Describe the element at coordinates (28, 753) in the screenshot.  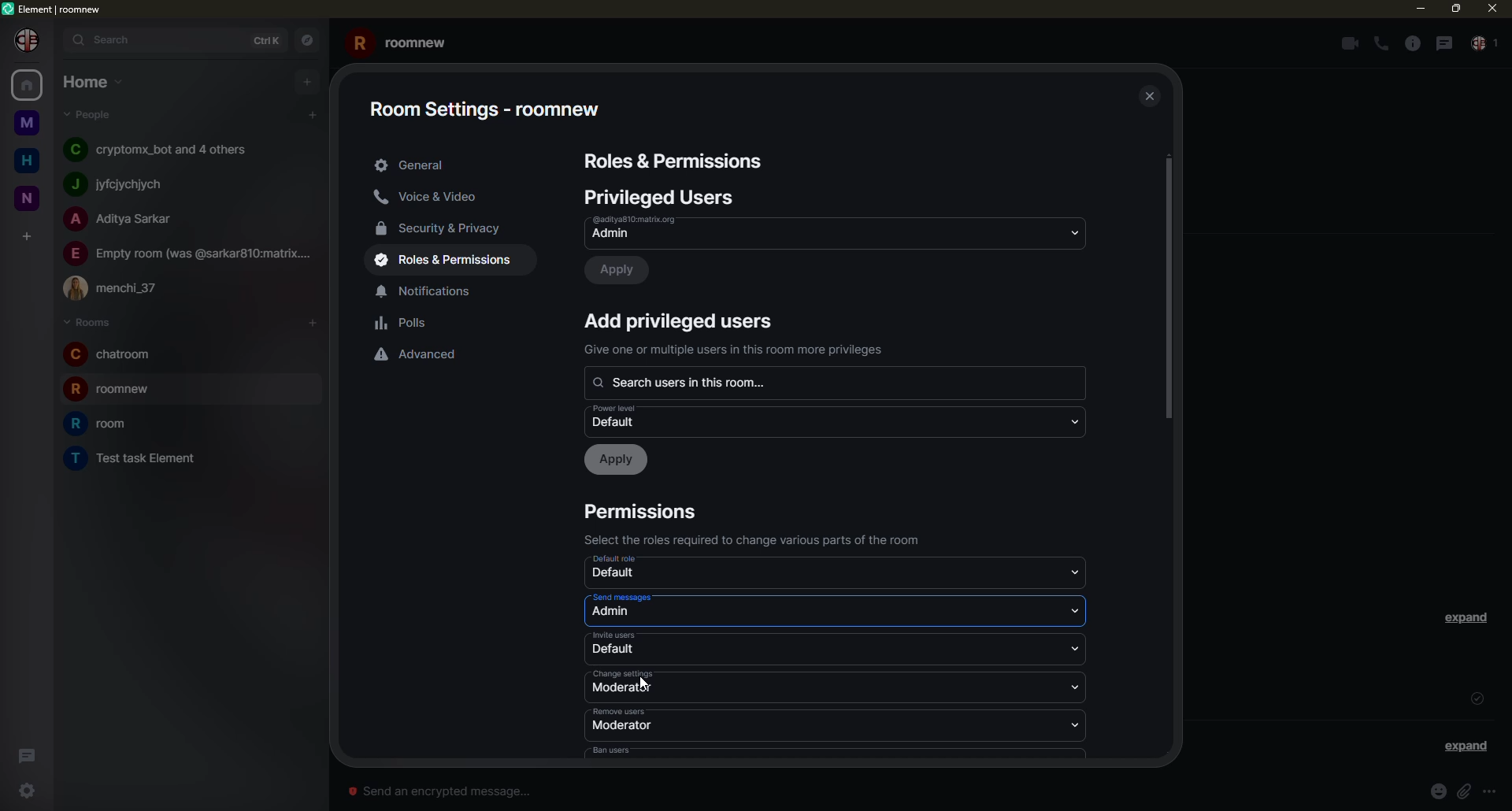
I see `threads` at that location.